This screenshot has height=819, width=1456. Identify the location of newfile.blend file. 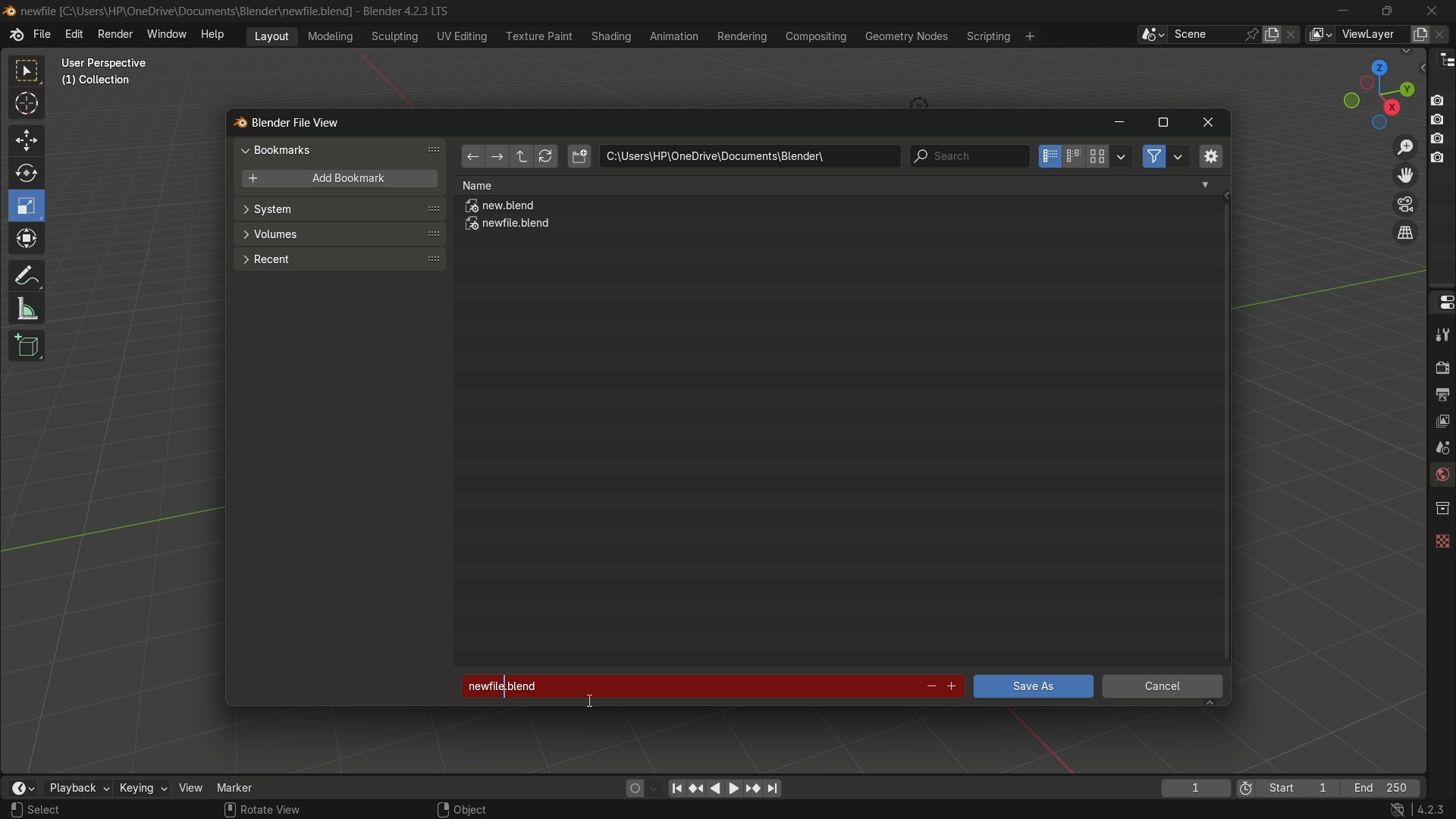
(509, 226).